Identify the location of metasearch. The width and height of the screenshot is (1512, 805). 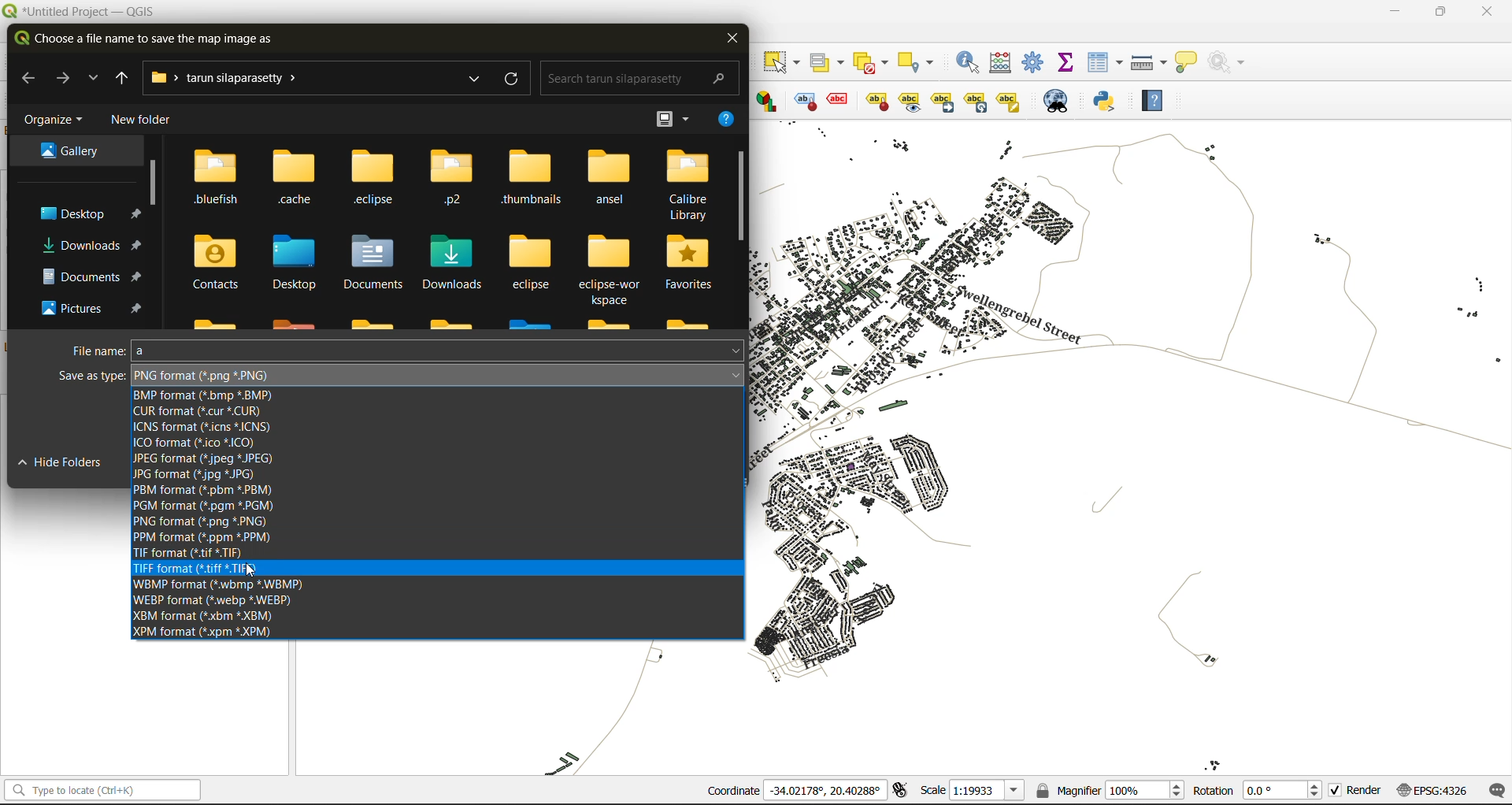
(1058, 101).